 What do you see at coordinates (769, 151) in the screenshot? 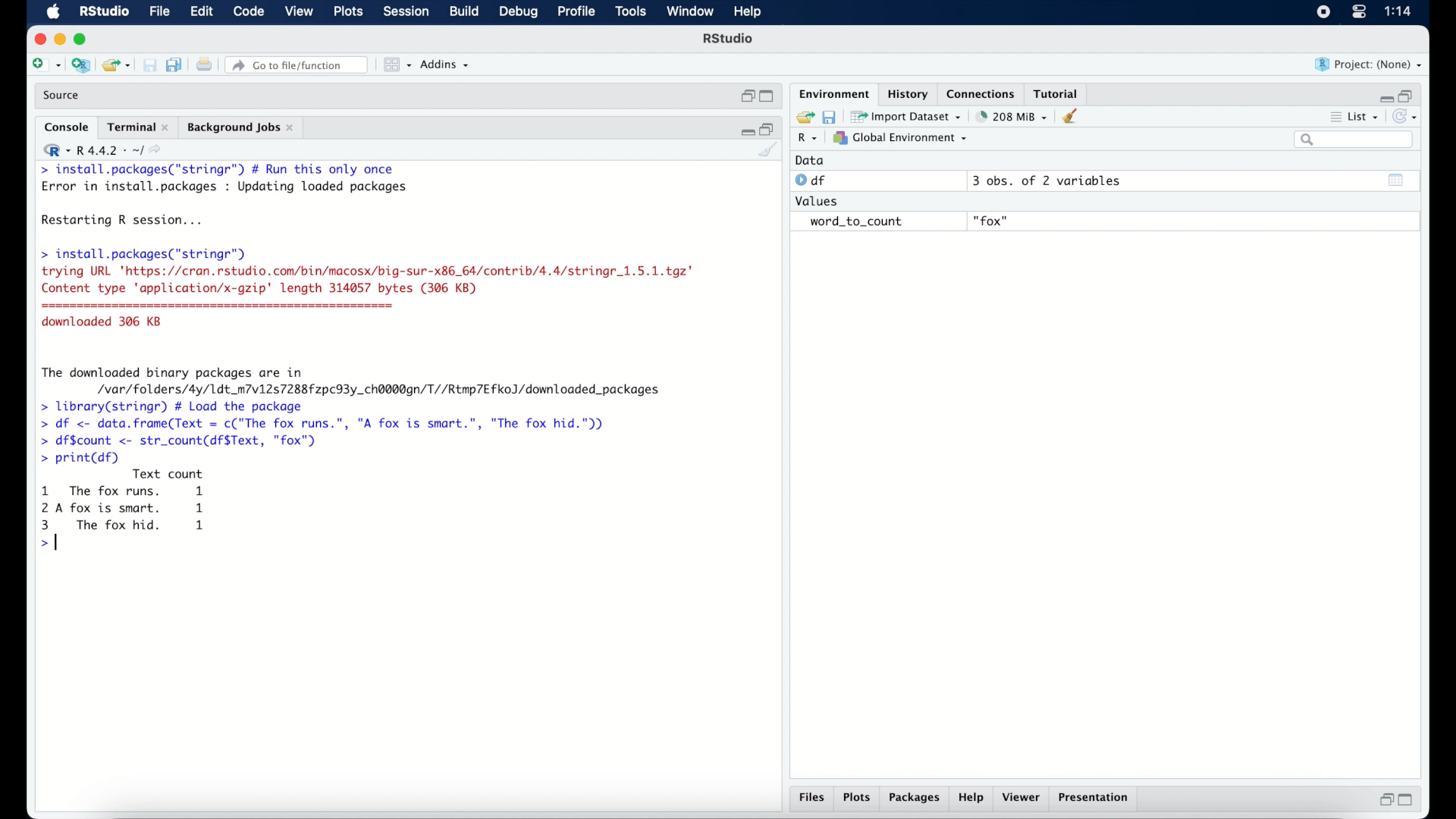
I see `clear console` at bounding box center [769, 151].